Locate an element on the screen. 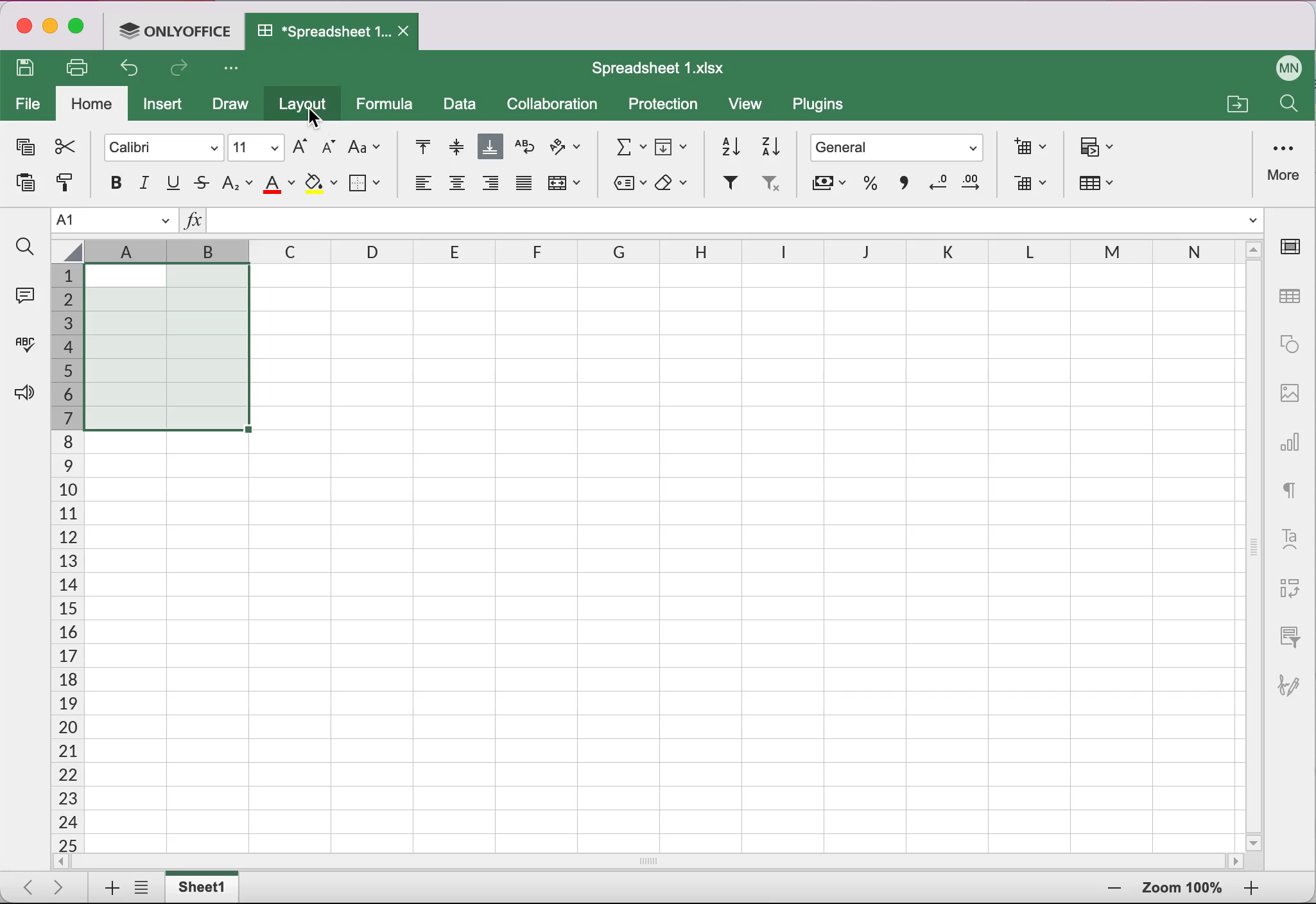 The height and width of the screenshot is (904, 1316). maximize is located at coordinates (81, 29).